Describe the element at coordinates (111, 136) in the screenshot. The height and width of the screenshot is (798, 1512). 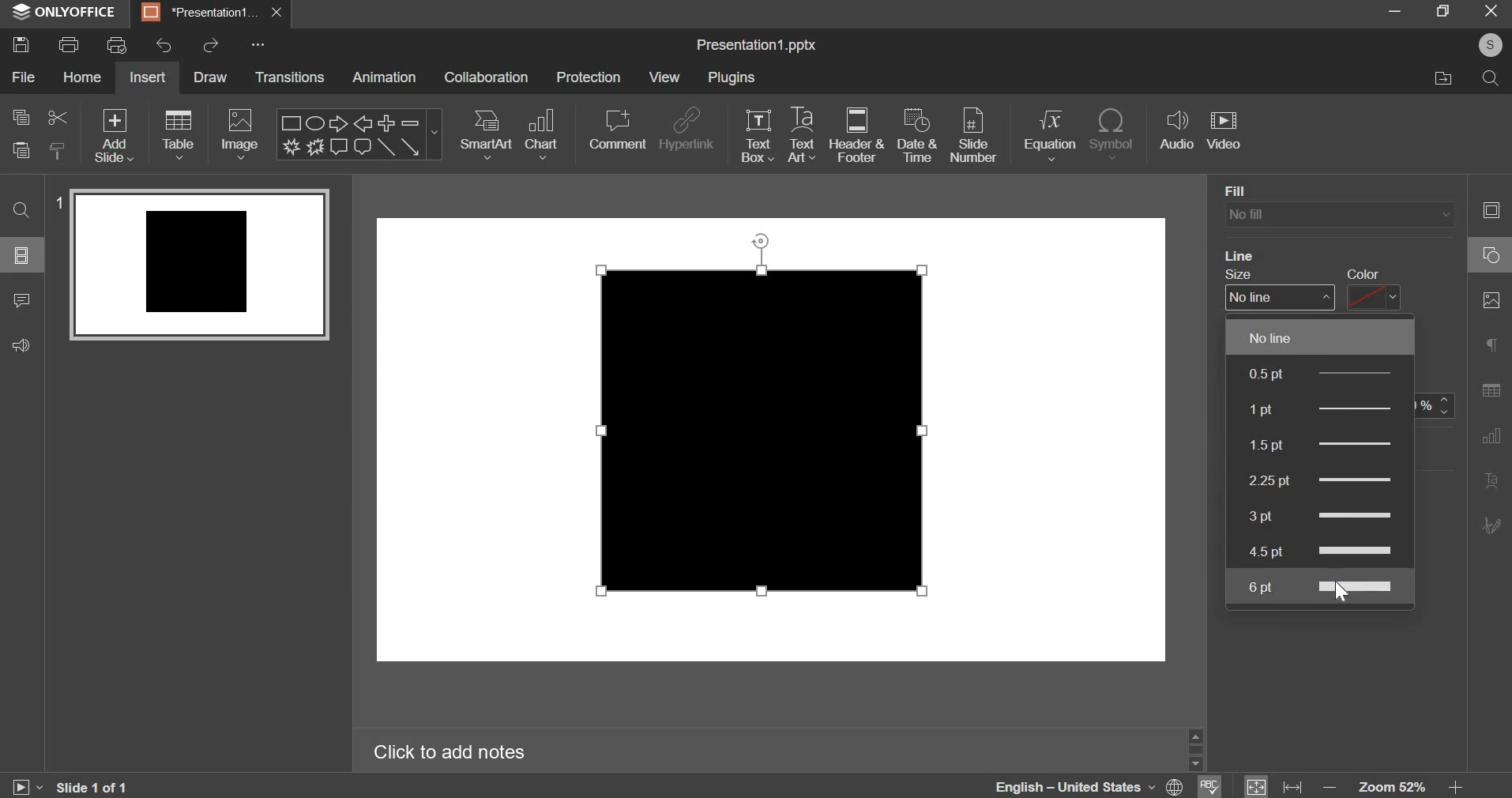
I see `add slide` at that location.